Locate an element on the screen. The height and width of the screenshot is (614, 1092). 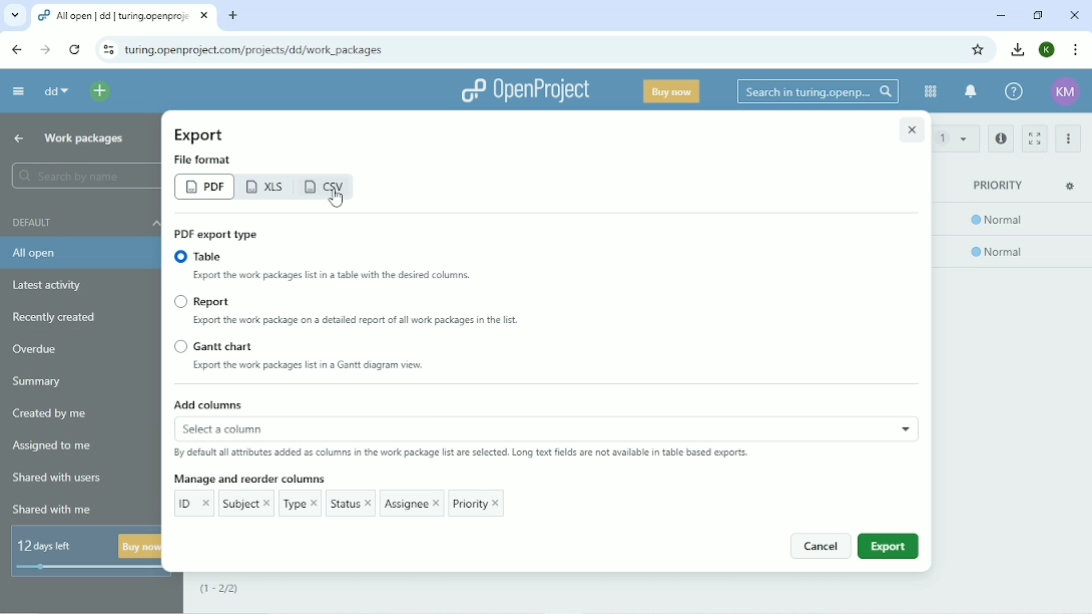
Add columns is located at coordinates (544, 418).